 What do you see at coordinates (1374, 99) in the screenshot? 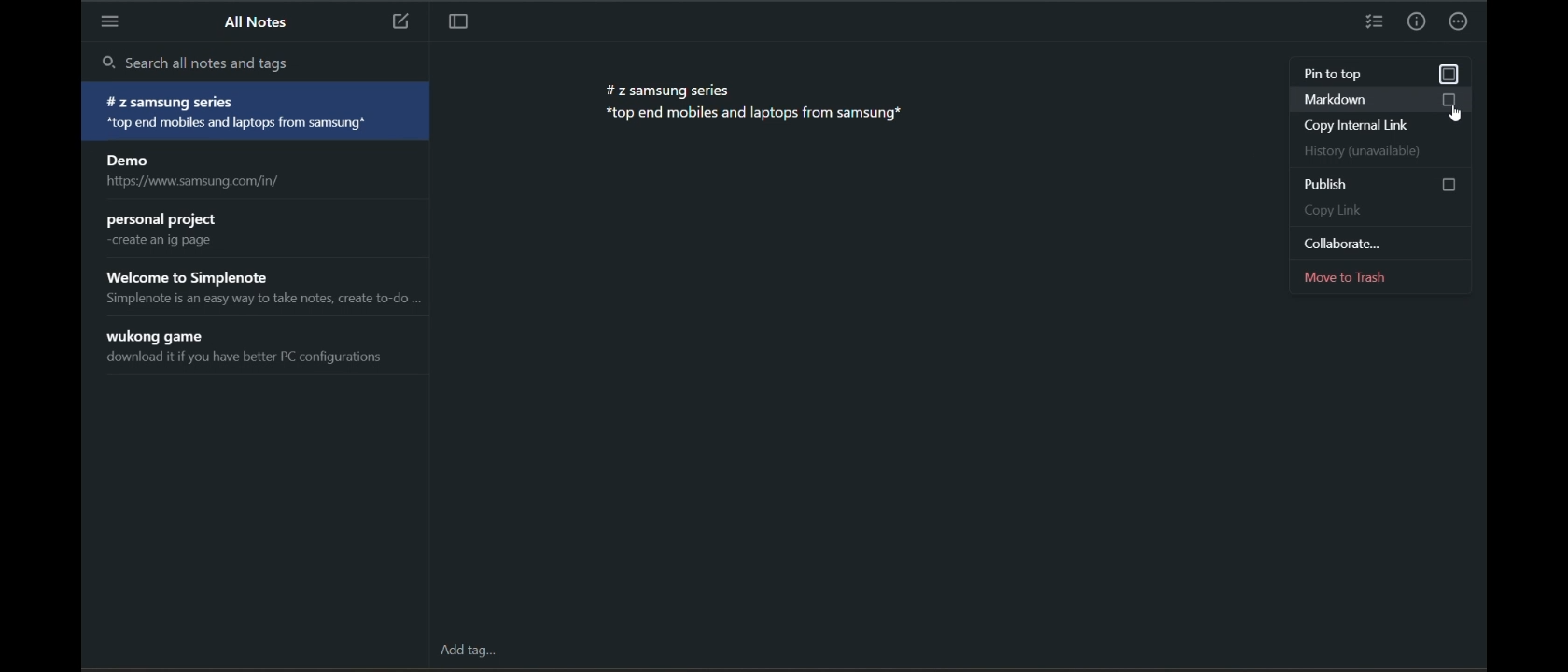
I see `markdown` at bounding box center [1374, 99].